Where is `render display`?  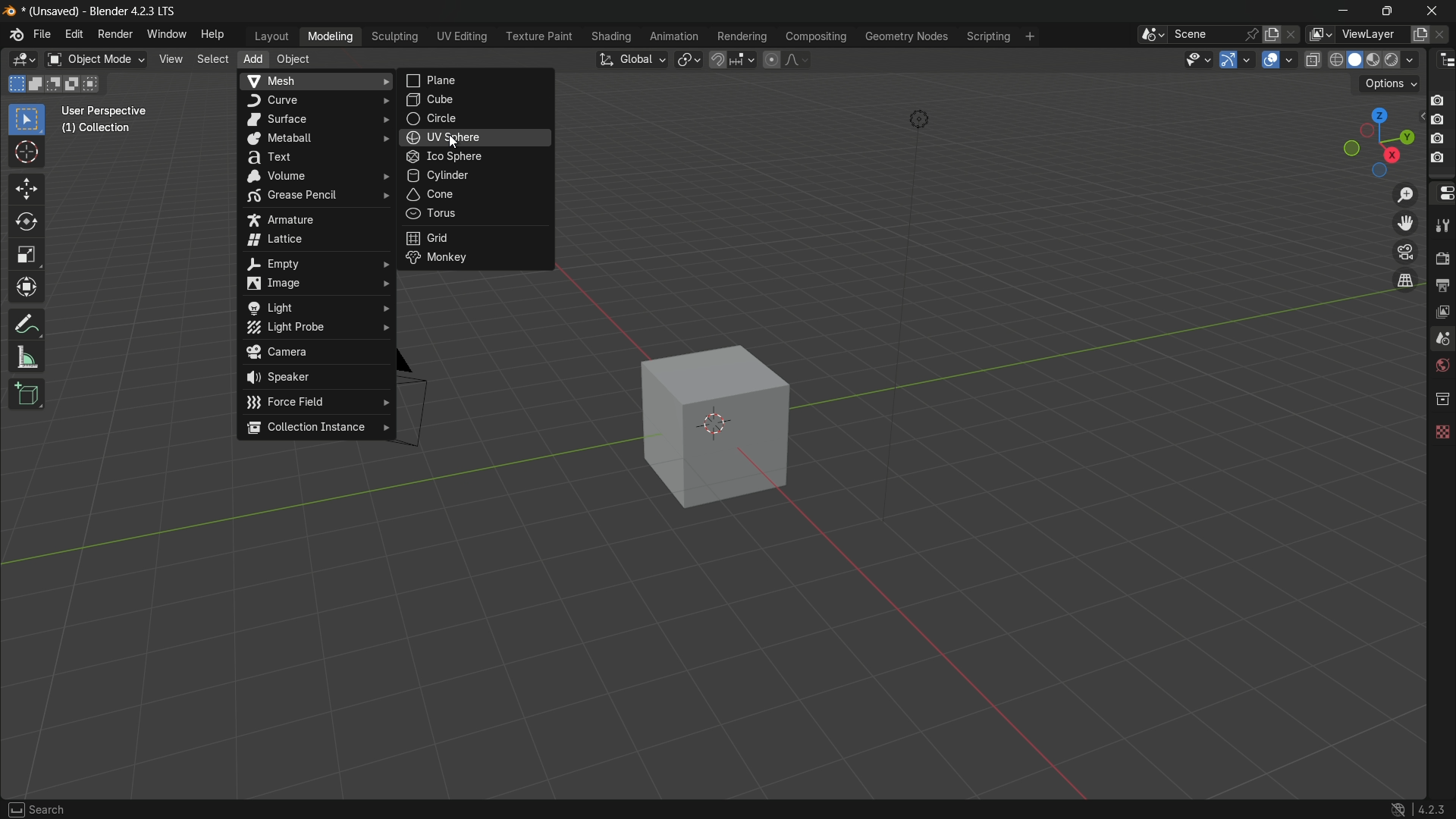 render display is located at coordinates (1401, 58).